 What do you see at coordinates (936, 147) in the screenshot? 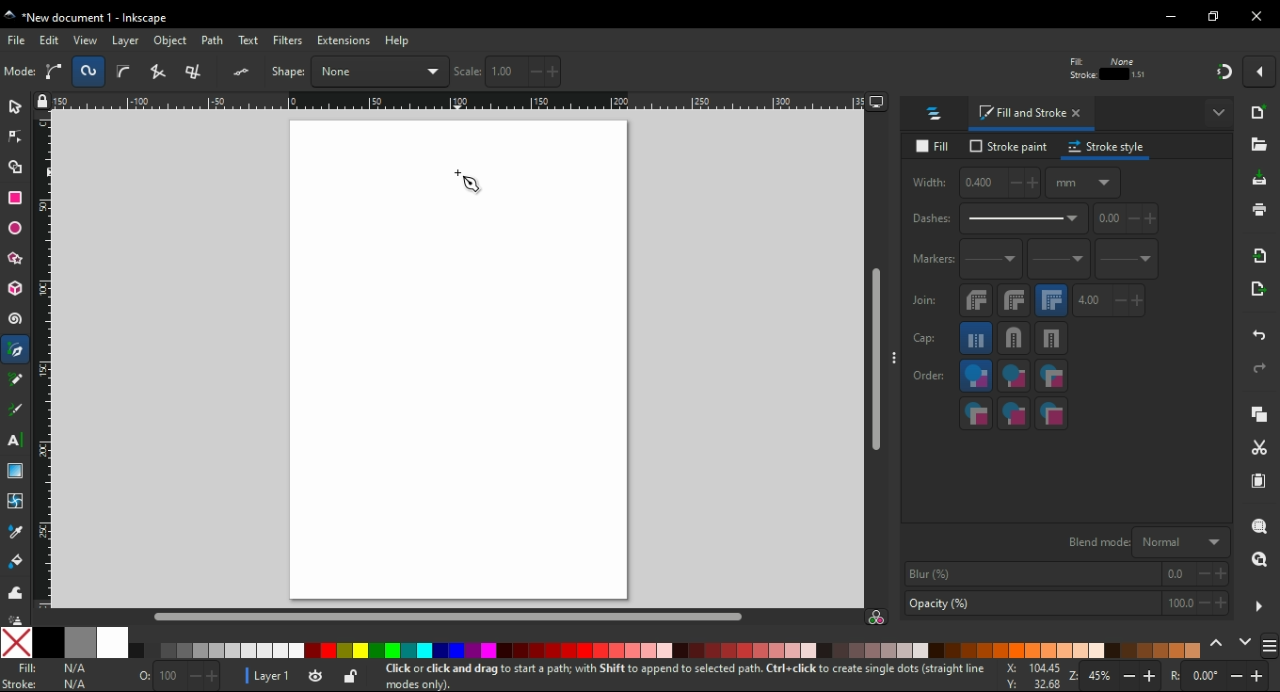
I see `fill` at bounding box center [936, 147].